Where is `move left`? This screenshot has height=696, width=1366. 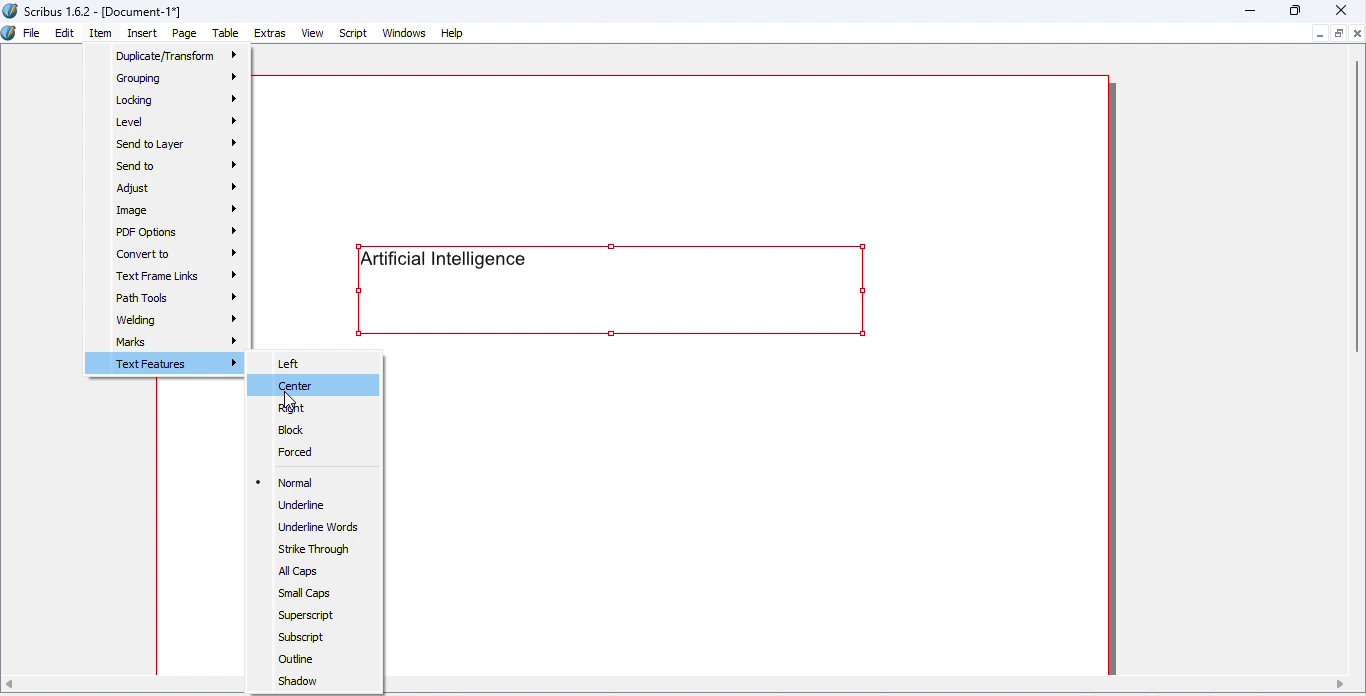
move left is located at coordinates (9, 683).